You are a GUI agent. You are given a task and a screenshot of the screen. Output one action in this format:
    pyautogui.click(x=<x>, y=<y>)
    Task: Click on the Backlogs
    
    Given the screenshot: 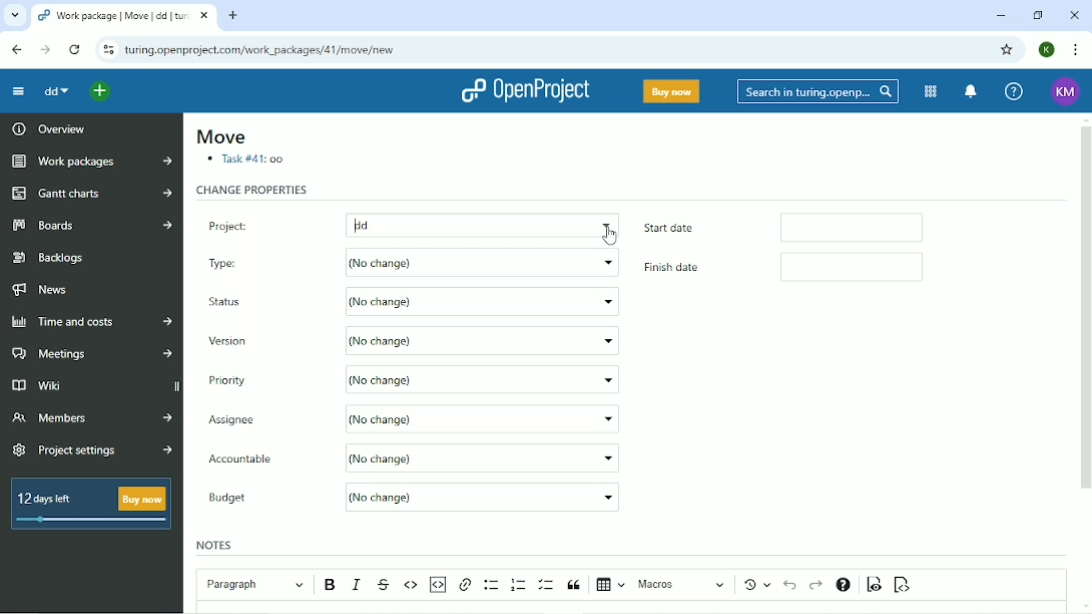 What is the action you would take?
    pyautogui.click(x=50, y=258)
    